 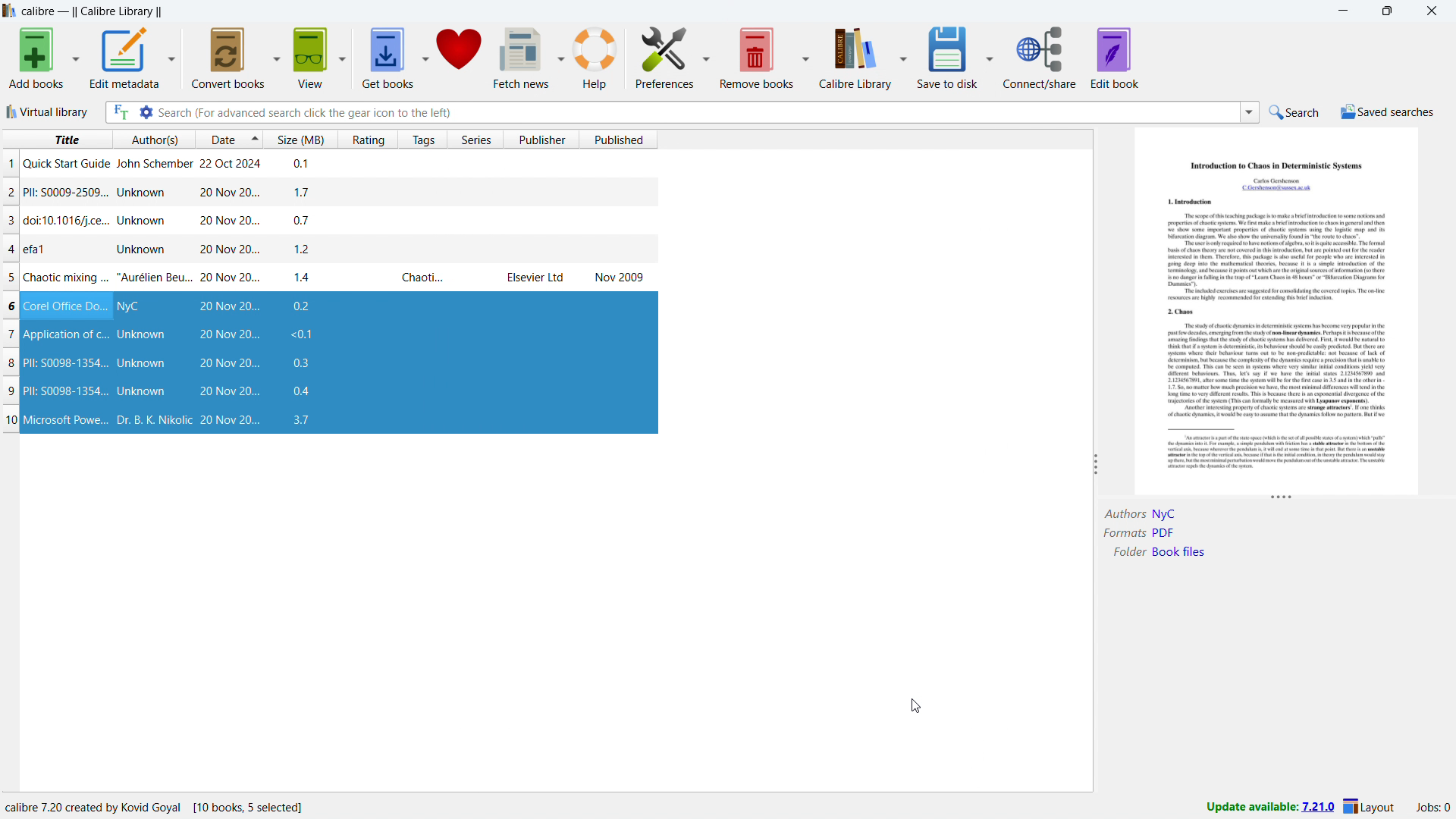 What do you see at coordinates (52, 139) in the screenshot?
I see `sort by title` at bounding box center [52, 139].